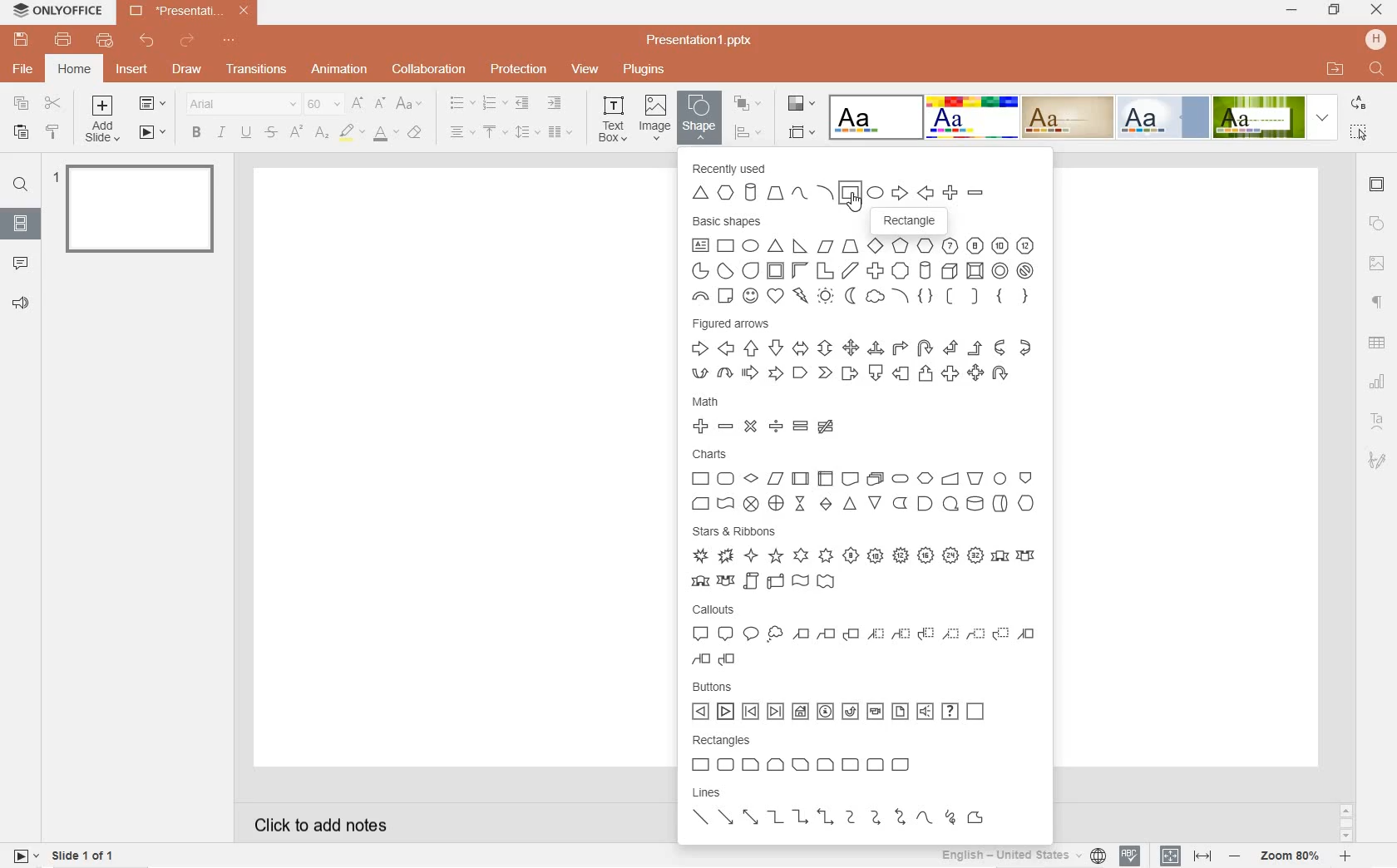 The width and height of the screenshot is (1397, 868). I want to click on customize quick access toolbar, so click(233, 42).